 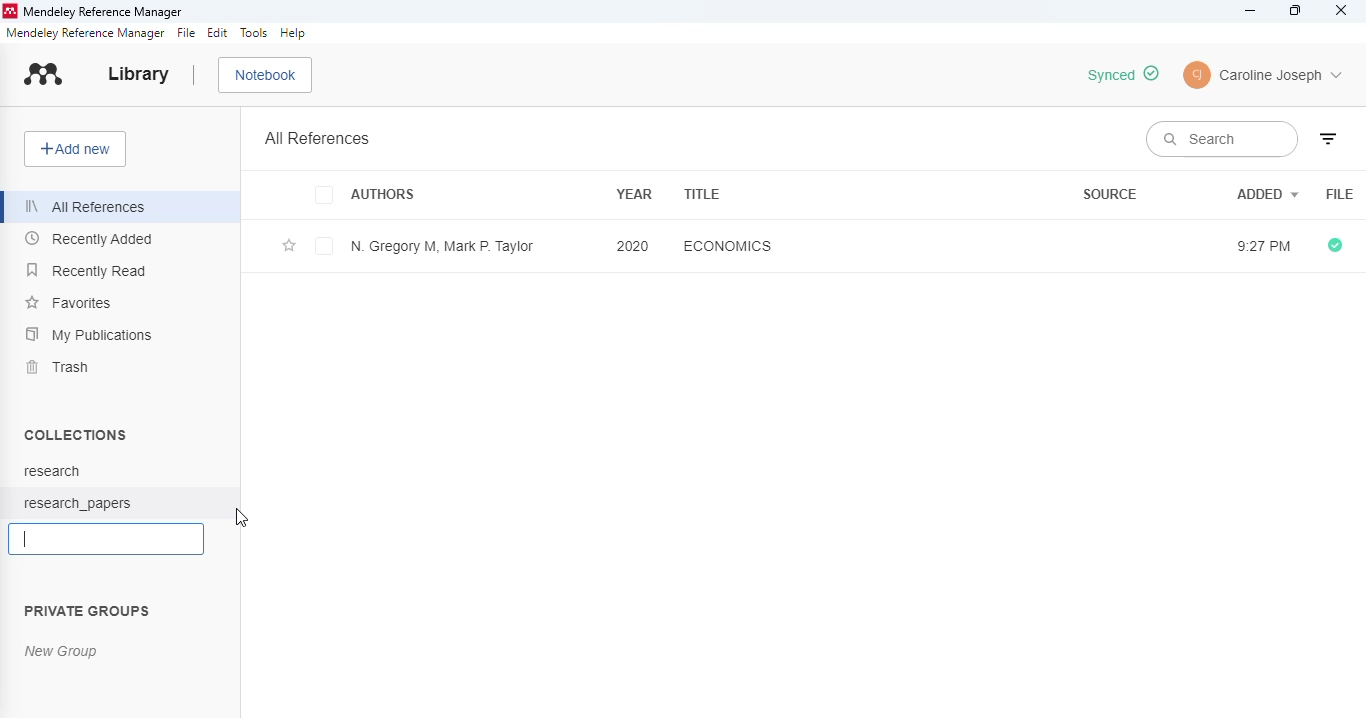 What do you see at coordinates (634, 192) in the screenshot?
I see `year` at bounding box center [634, 192].